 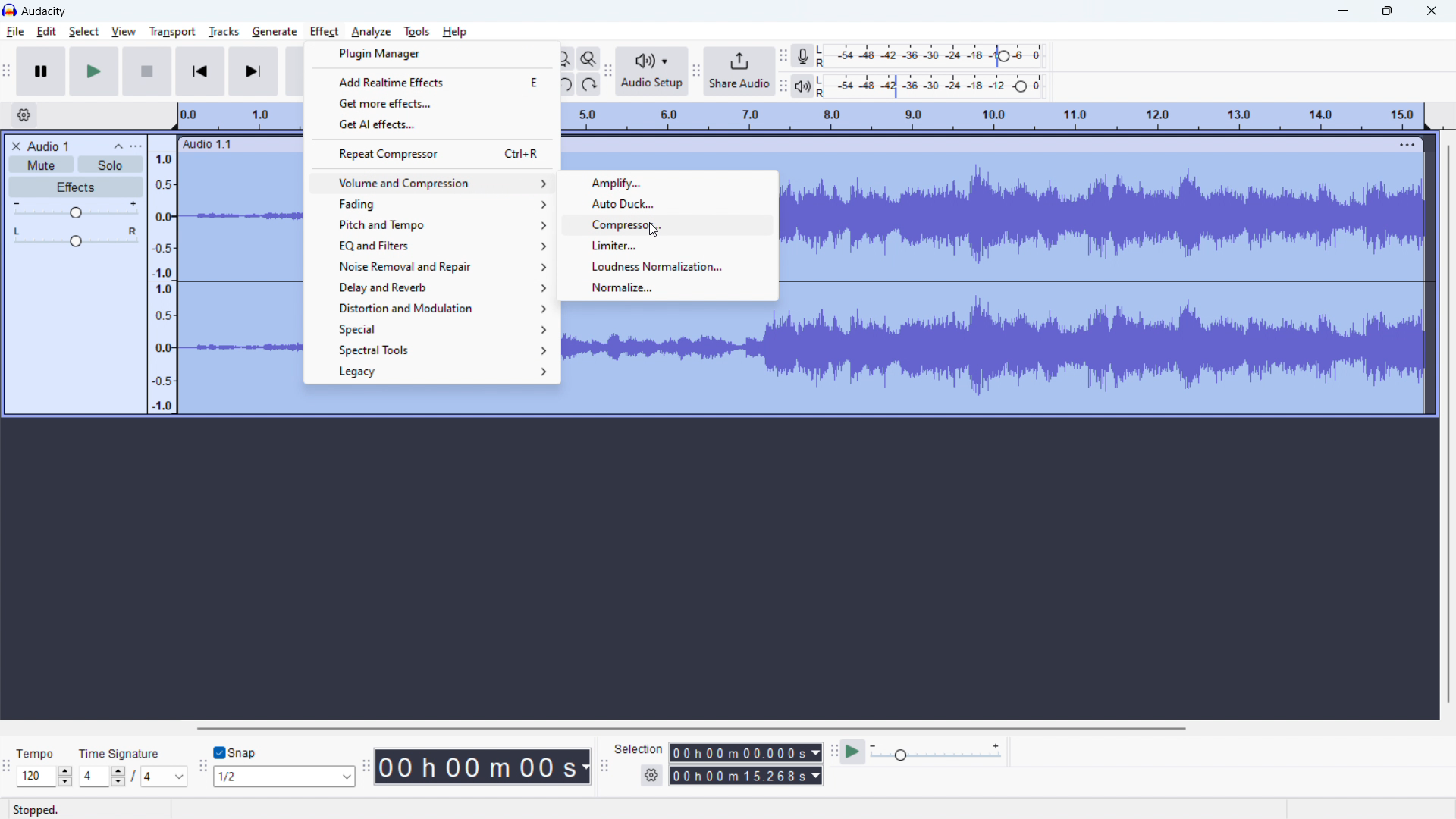 What do you see at coordinates (739, 70) in the screenshot?
I see `share audio` at bounding box center [739, 70].